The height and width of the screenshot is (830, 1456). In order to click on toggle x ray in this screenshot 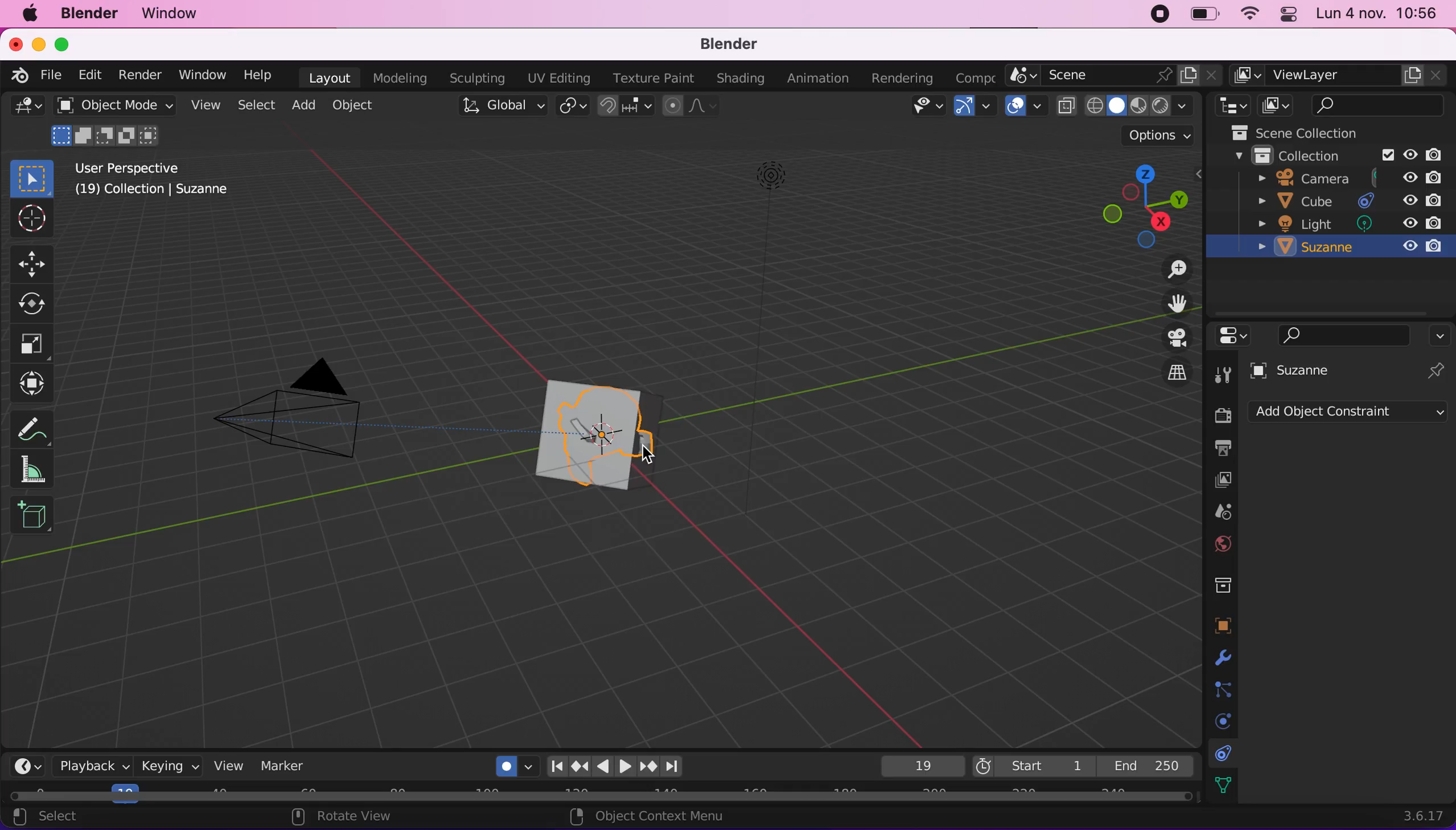, I will do `click(1067, 106)`.